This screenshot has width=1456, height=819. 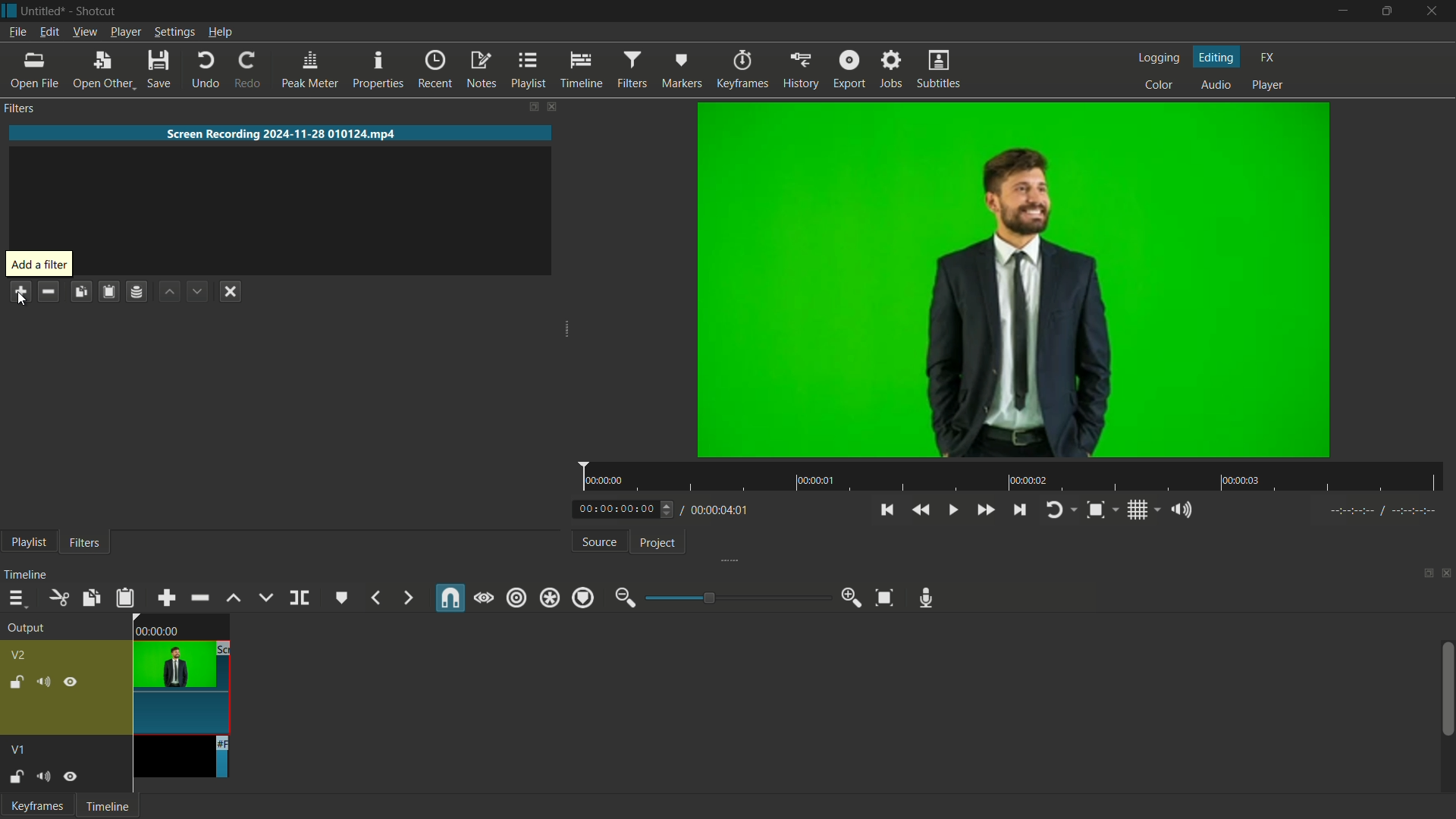 I want to click on open file, so click(x=33, y=71).